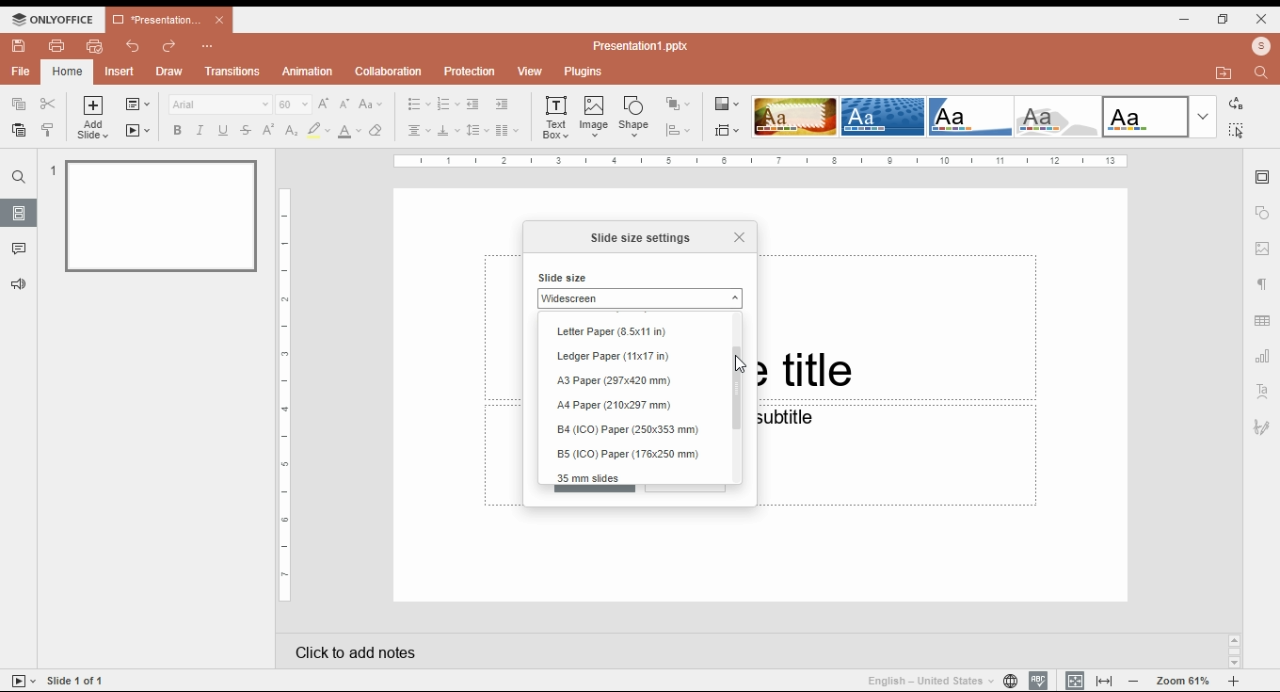 Image resolution: width=1280 pixels, height=692 pixels. Describe the element at coordinates (469, 72) in the screenshot. I see `protection` at that location.